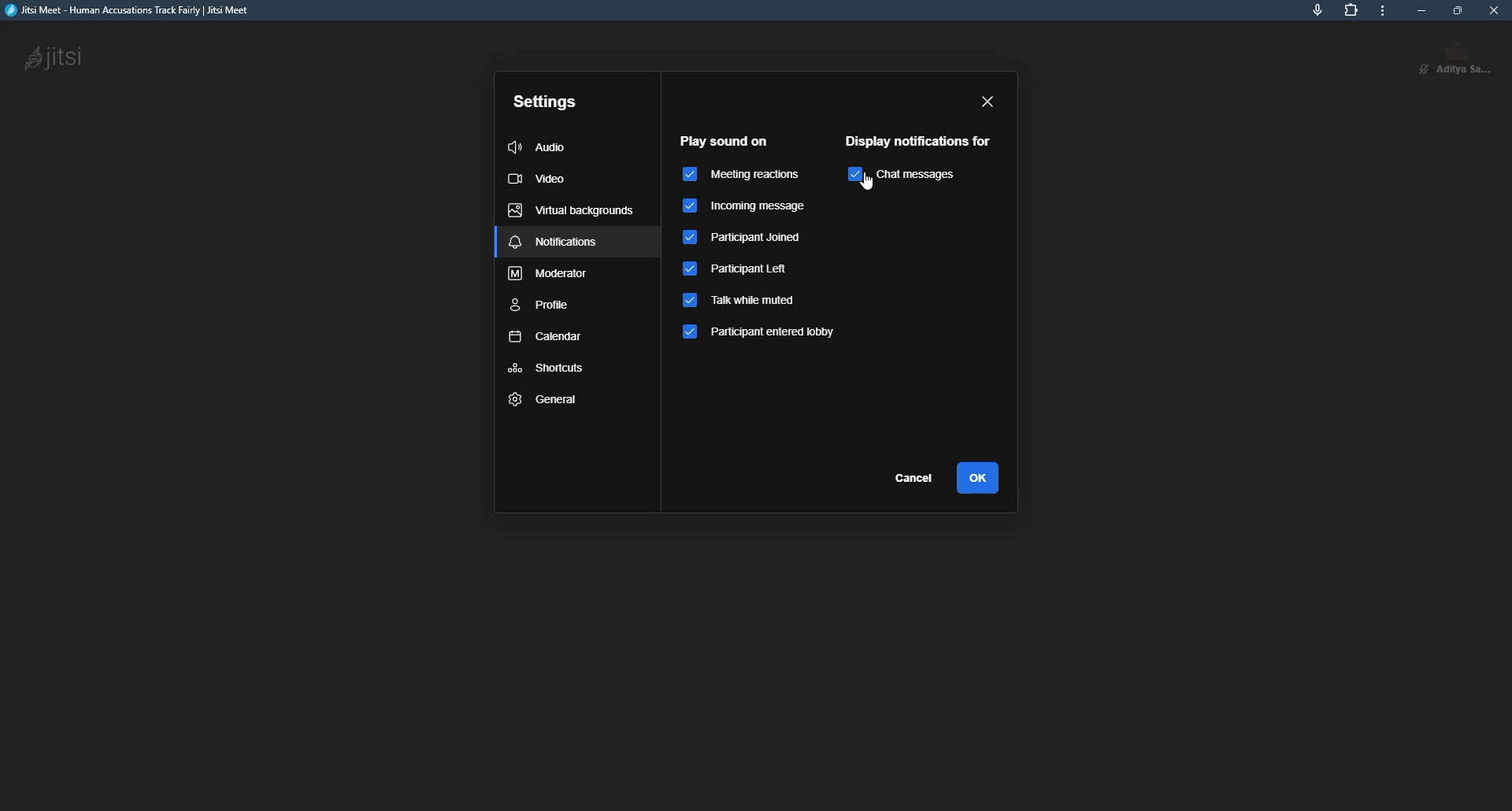 This screenshot has height=811, width=1512. I want to click on jitsi, so click(54, 61).